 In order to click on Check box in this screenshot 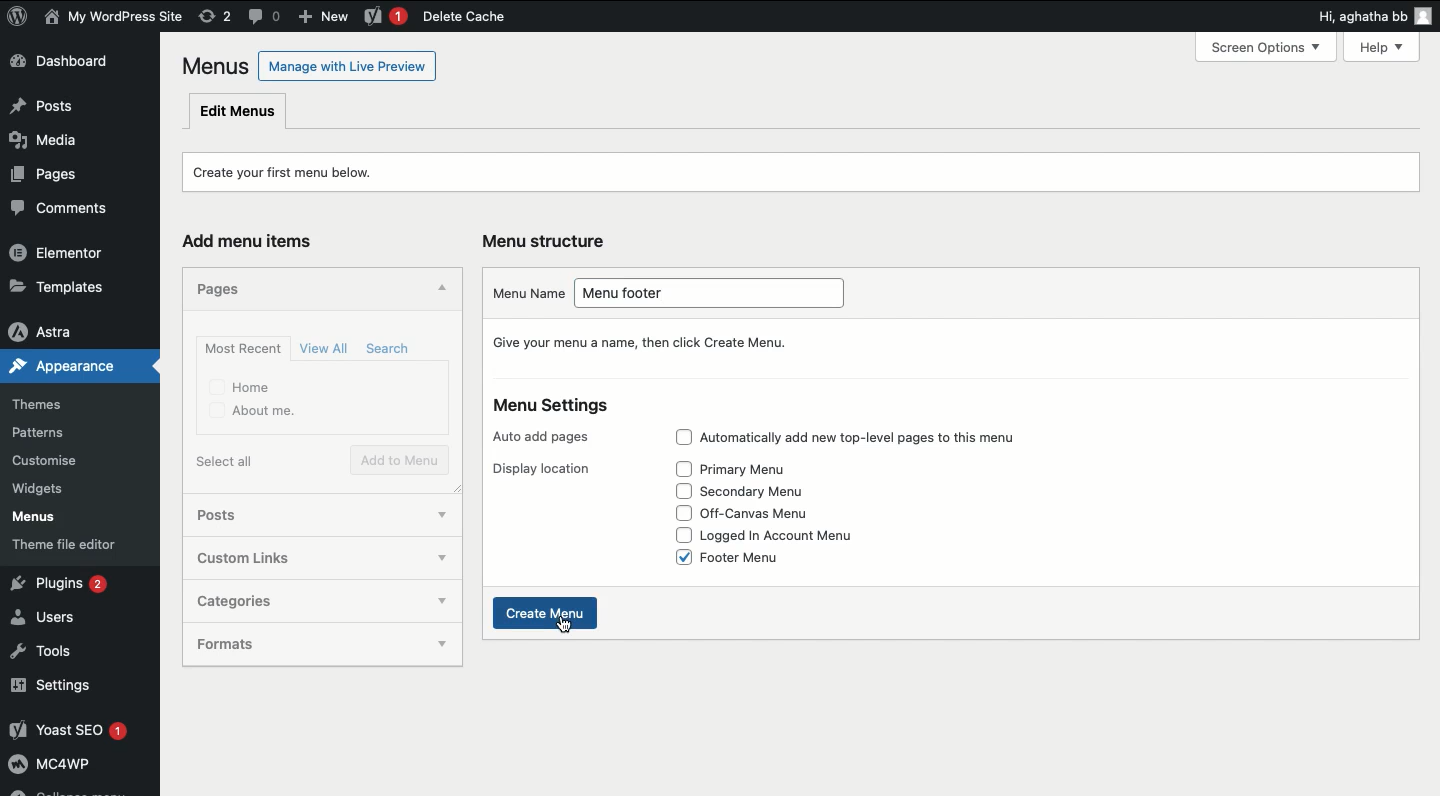, I will do `click(676, 491)`.